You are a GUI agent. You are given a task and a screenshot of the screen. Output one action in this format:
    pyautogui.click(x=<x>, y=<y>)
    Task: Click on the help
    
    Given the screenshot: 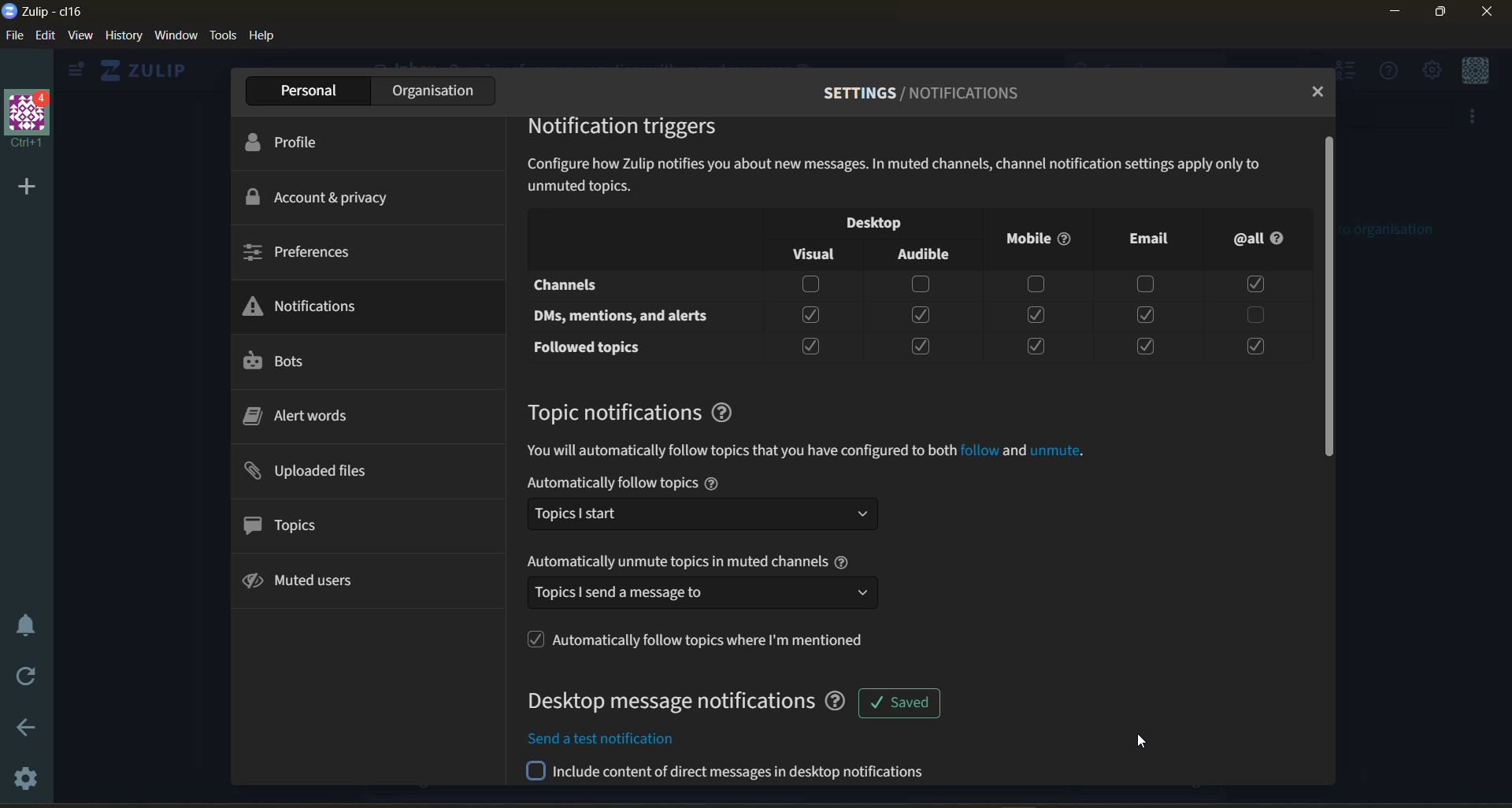 What is the action you would take?
    pyautogui.click(x=265, y=38)
    